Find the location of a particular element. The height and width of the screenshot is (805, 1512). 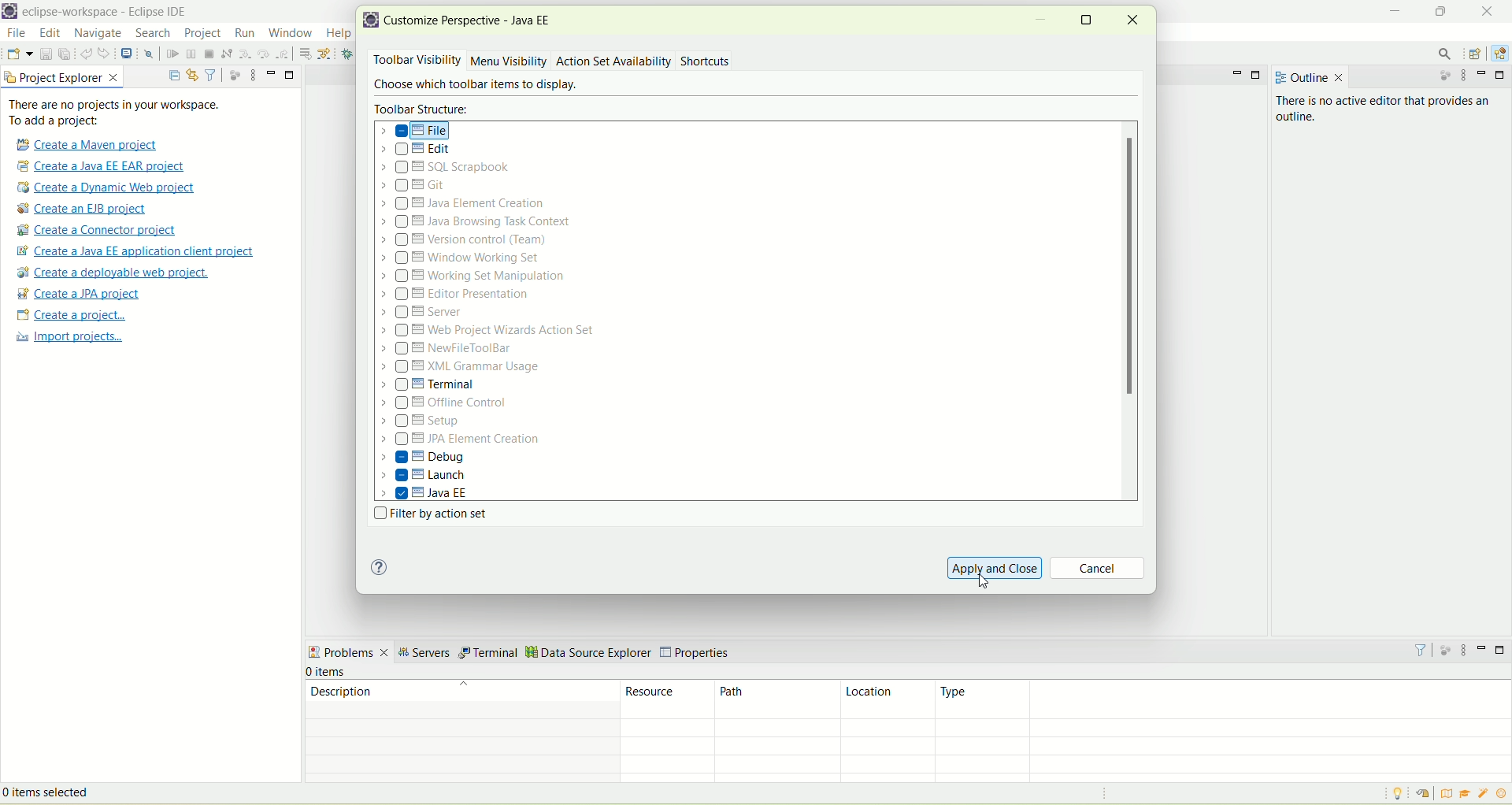

link with editor is located at coordinates (192, 74).